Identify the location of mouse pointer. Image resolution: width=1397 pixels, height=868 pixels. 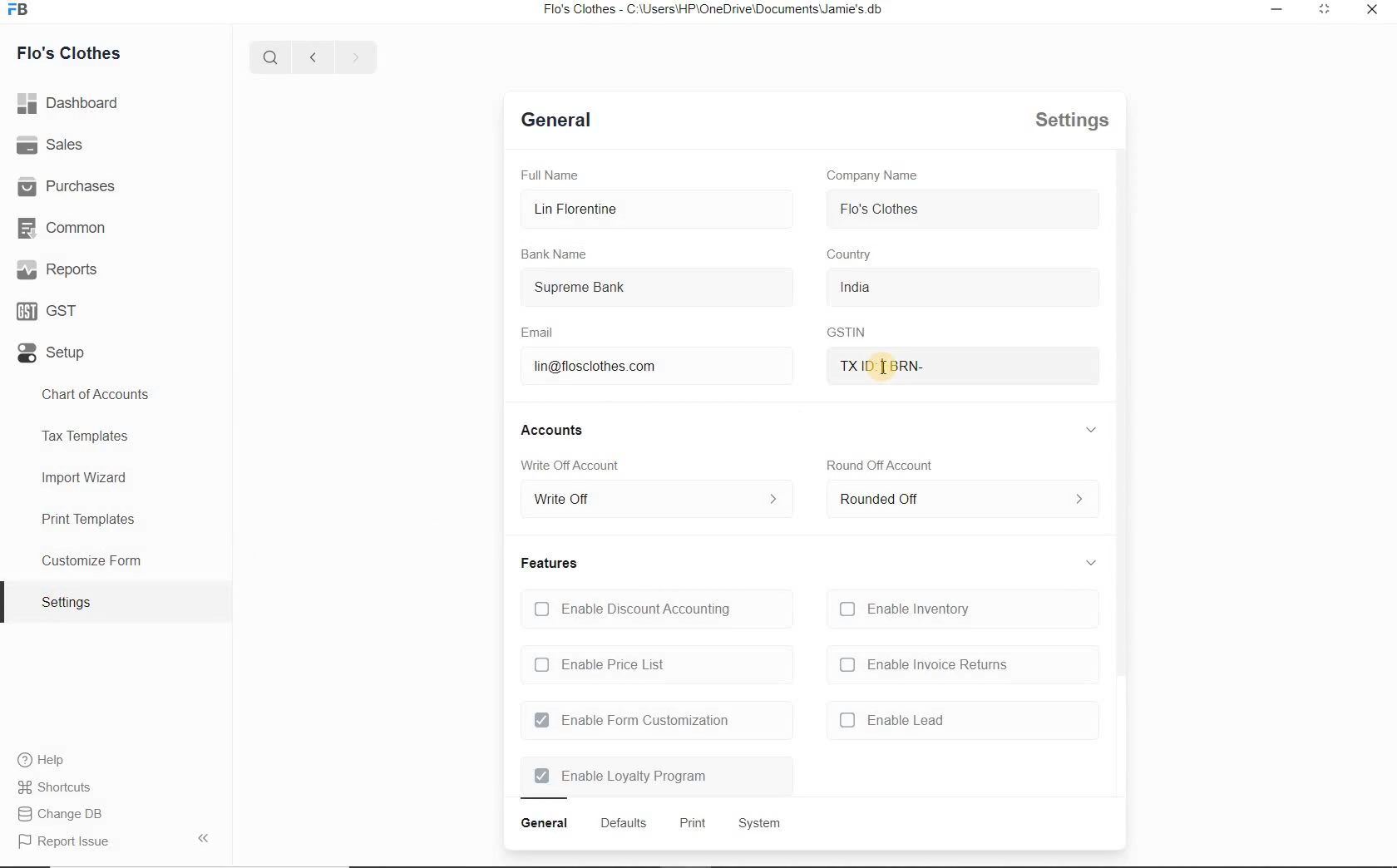
(882, 367).